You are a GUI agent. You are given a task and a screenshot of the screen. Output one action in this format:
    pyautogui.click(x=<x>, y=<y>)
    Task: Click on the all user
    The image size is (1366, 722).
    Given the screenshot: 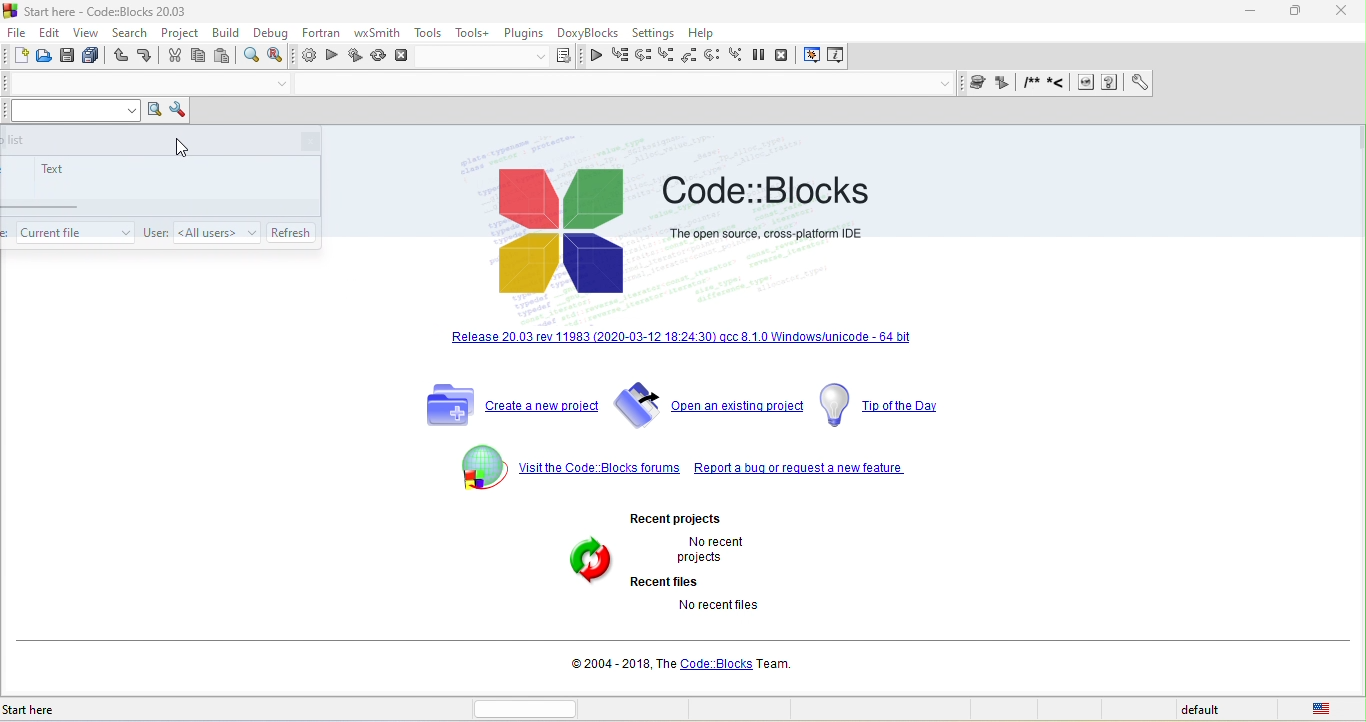 What is the action you would take?
    pyautogui.click(x=217, y=231)
    